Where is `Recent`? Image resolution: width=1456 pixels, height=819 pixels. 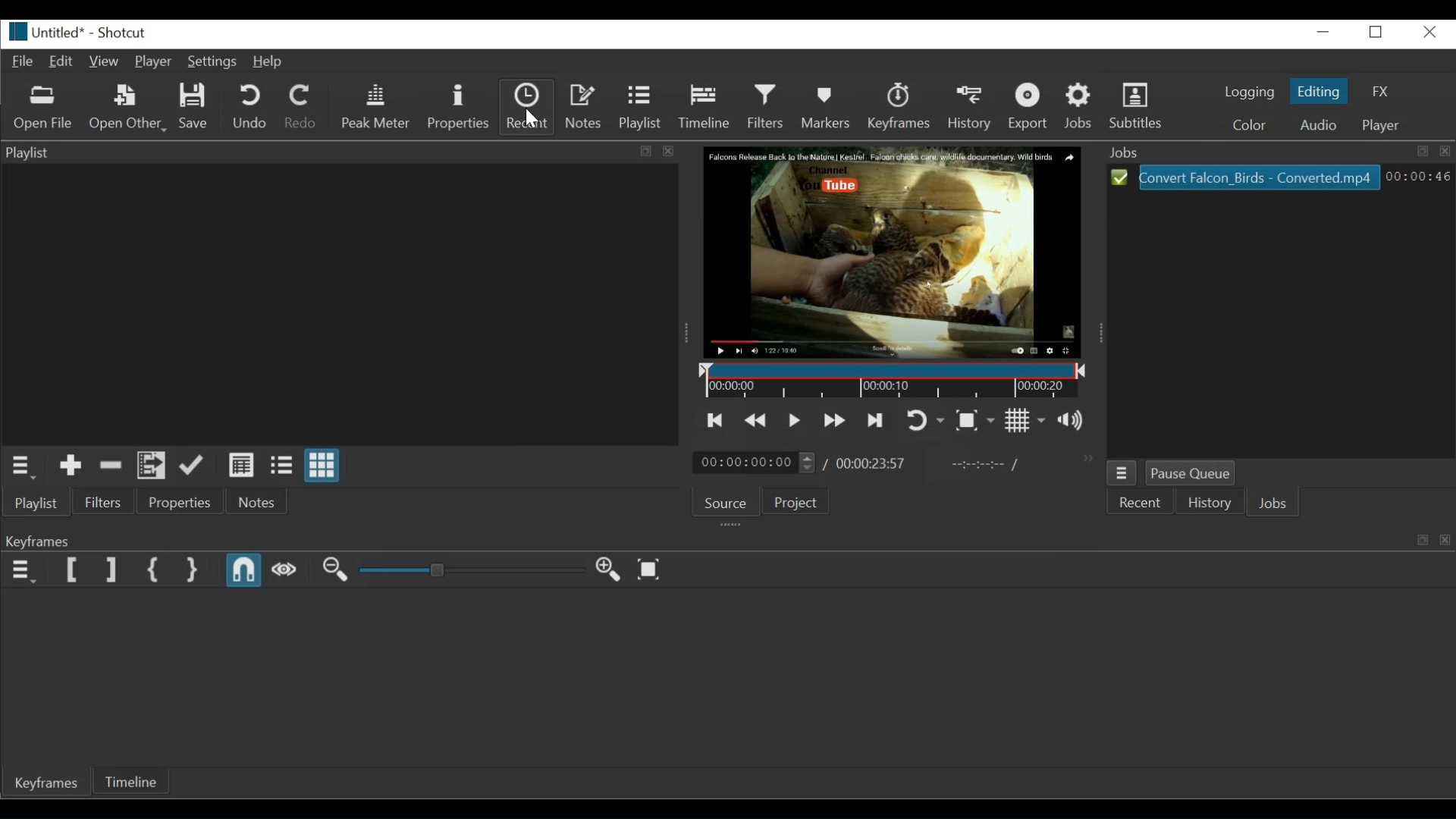
Recent is located at coordinates (529, 107).